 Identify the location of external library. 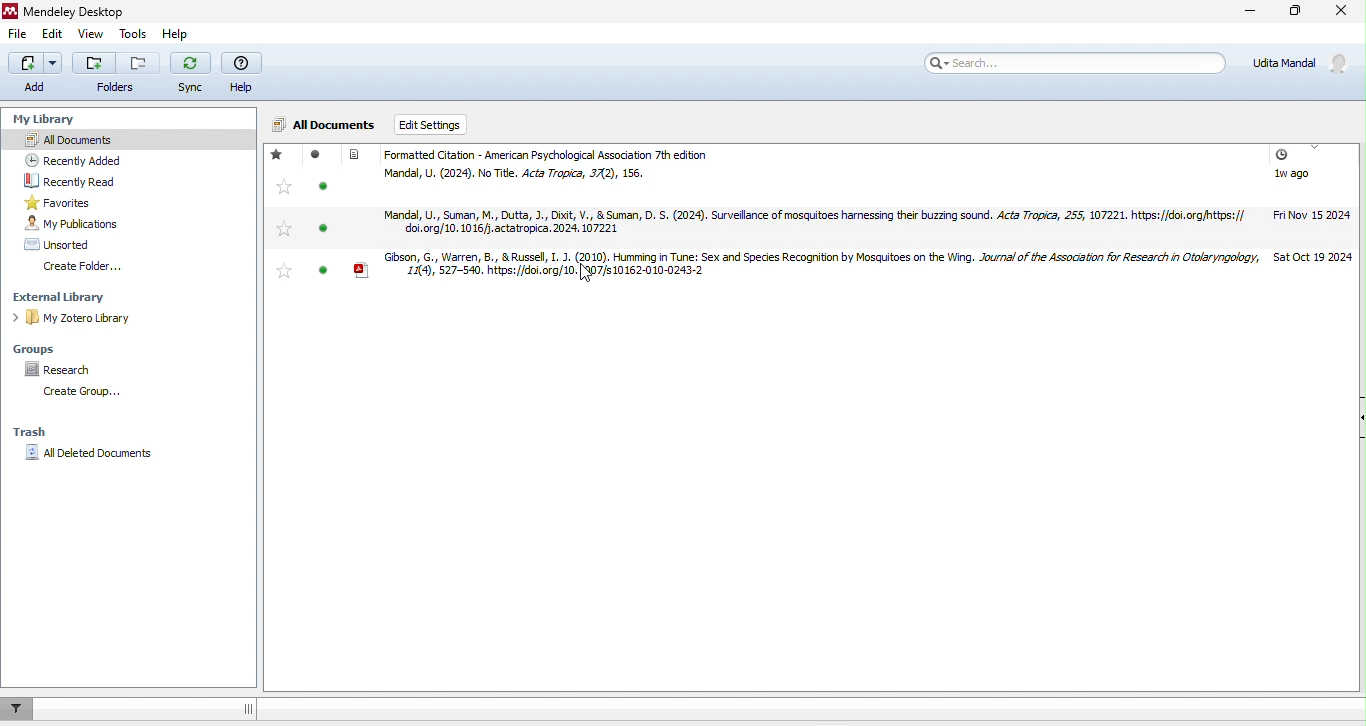
(65, 297).